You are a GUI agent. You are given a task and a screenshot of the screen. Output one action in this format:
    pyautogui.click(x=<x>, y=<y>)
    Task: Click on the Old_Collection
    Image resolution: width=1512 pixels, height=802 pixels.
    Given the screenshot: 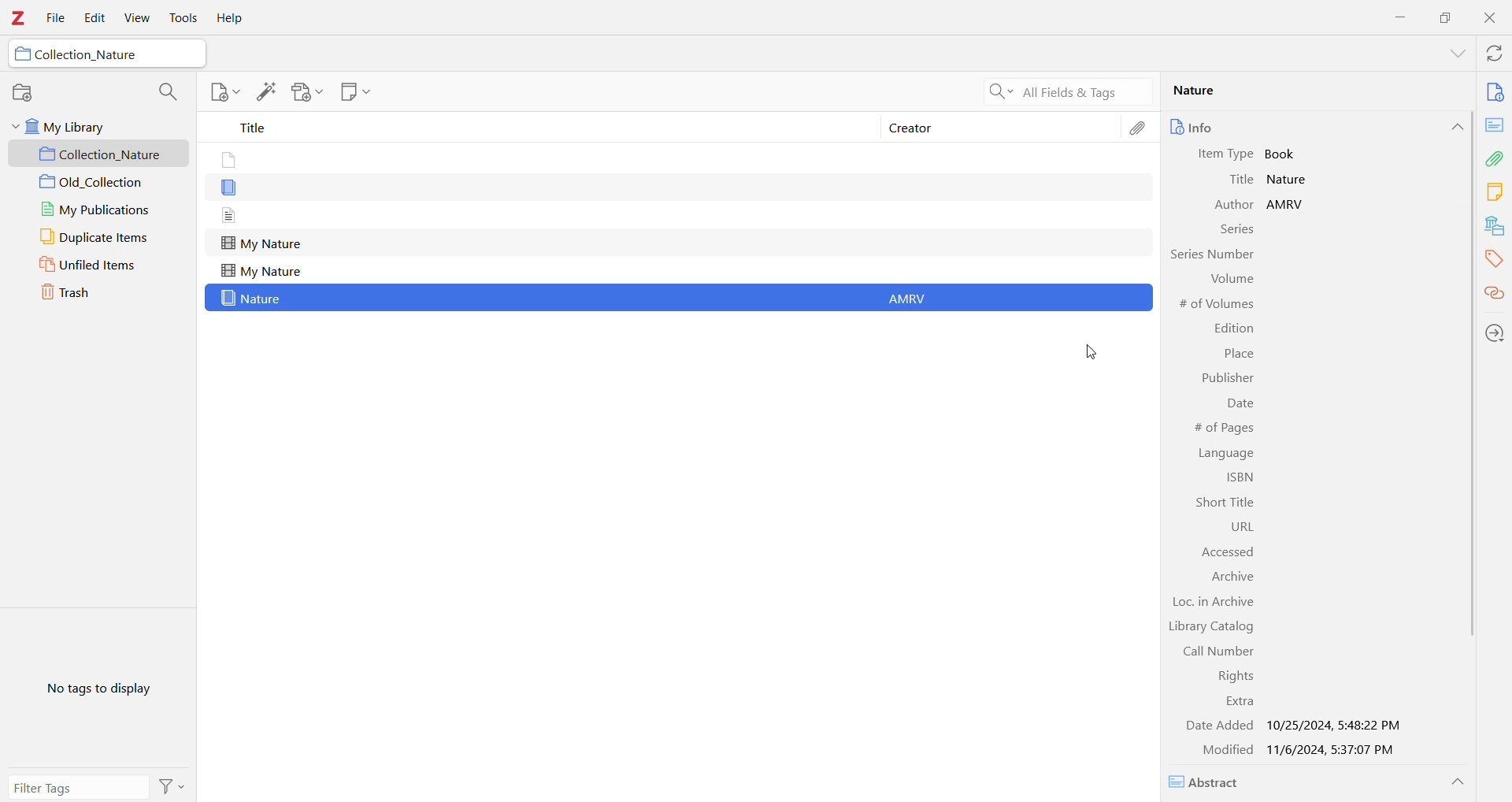 What is the action you would take?
    pyautogui.click(x=100, y=183)
    